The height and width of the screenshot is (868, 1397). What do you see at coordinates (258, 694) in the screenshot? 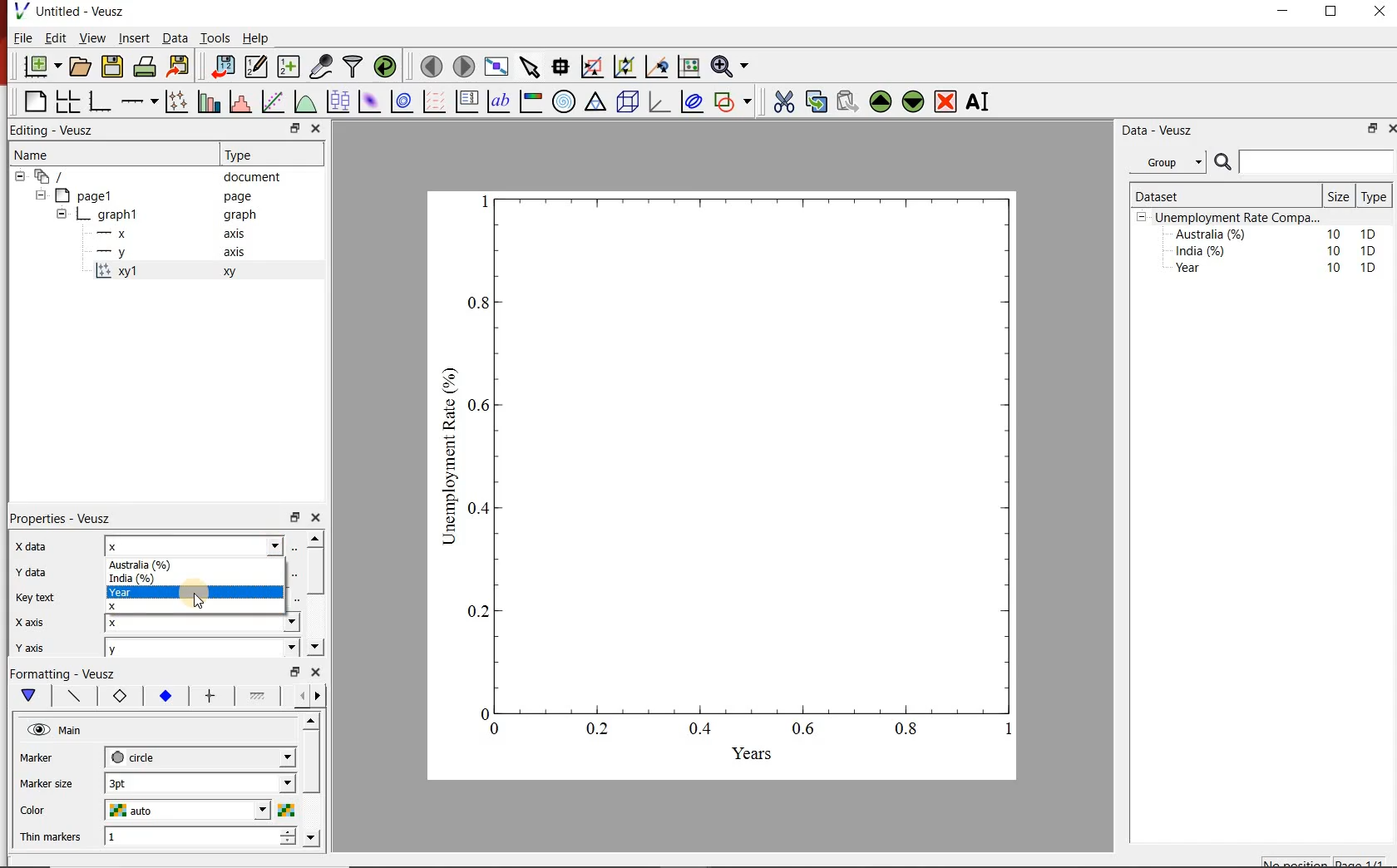
I see `line 1` at bounding box center [258, 694].